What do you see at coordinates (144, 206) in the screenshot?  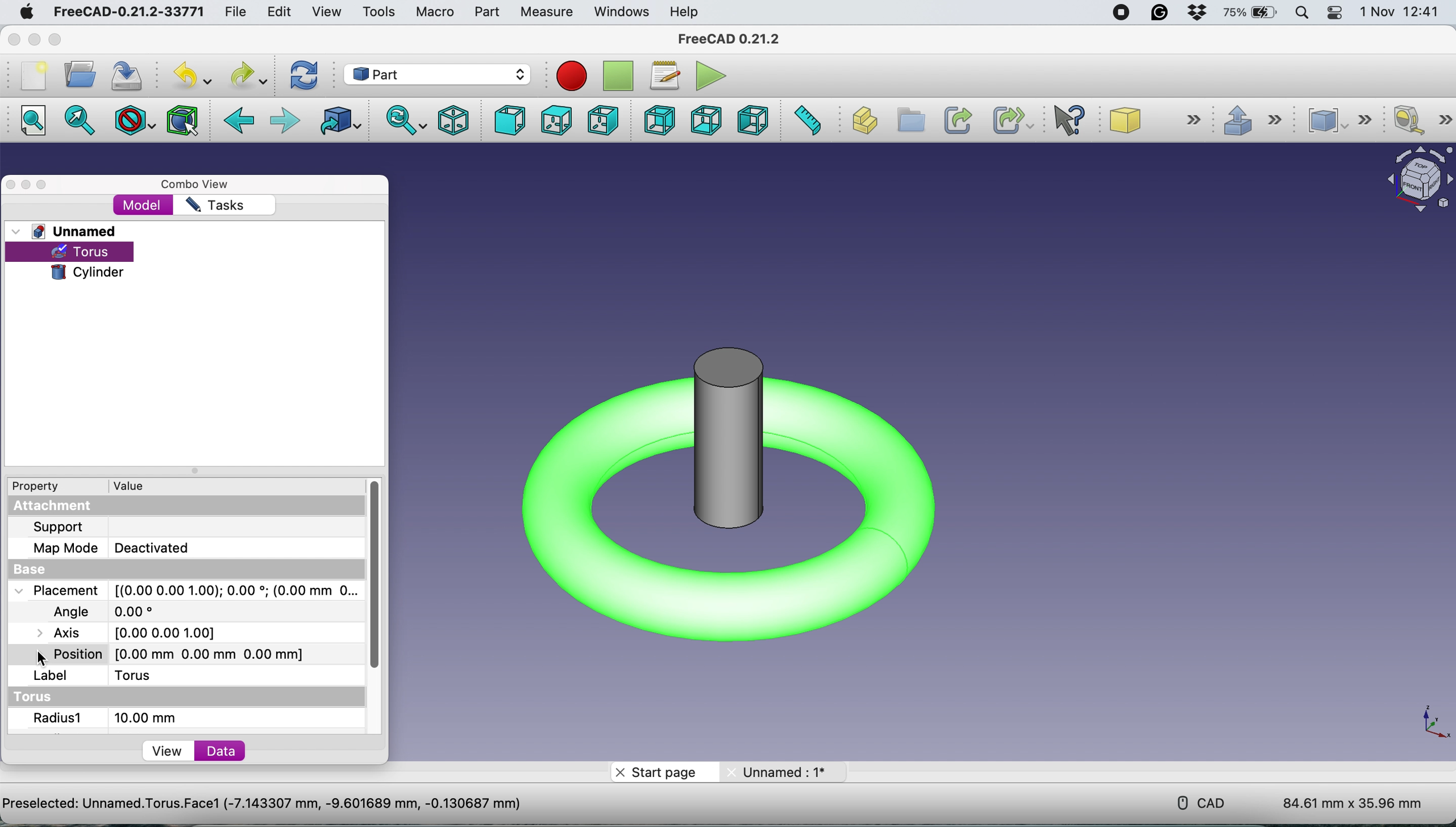 I see `model` at bounding box center [144, 206].